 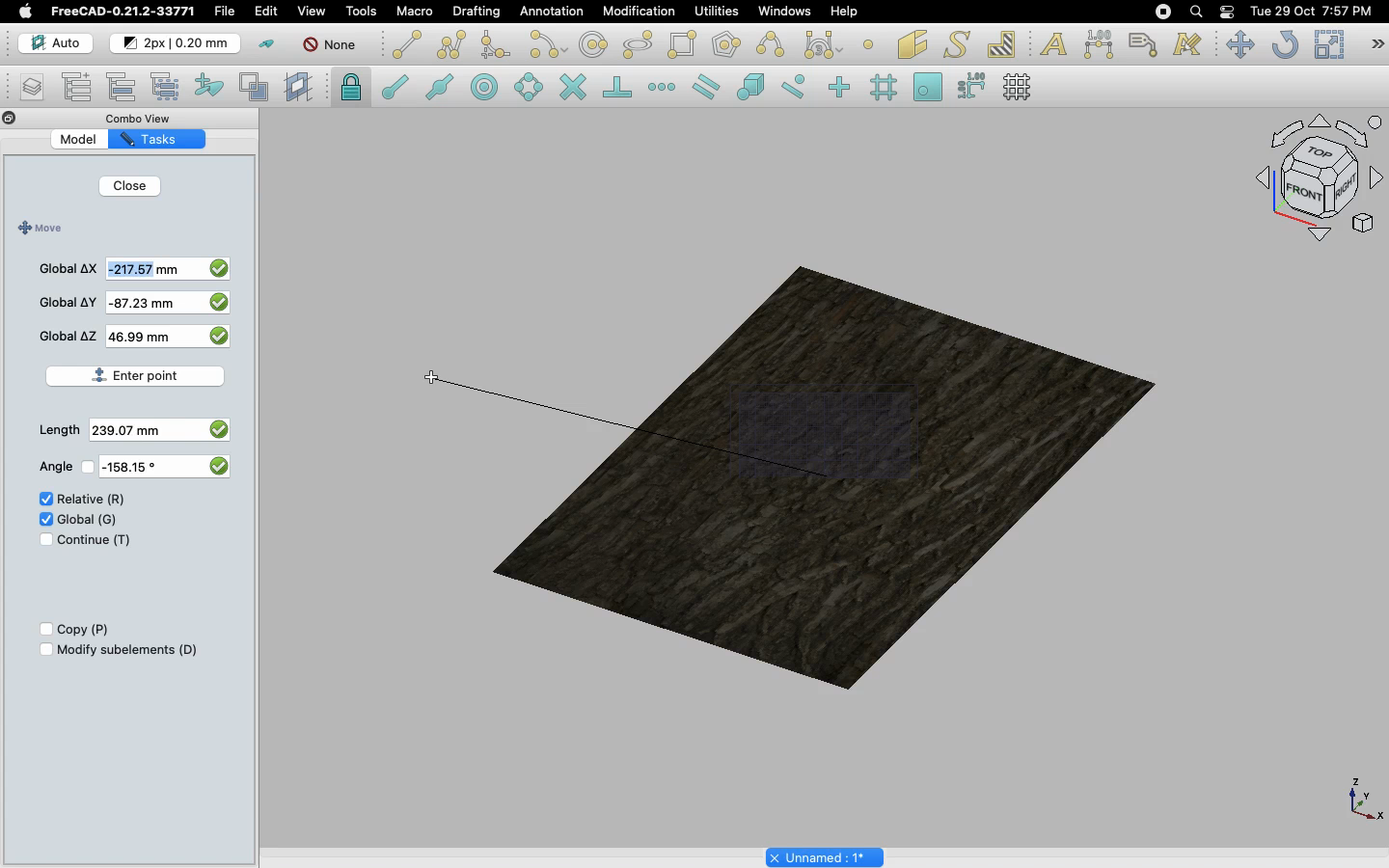 I want to click on Autogroup off, so click(x=333, y=46).